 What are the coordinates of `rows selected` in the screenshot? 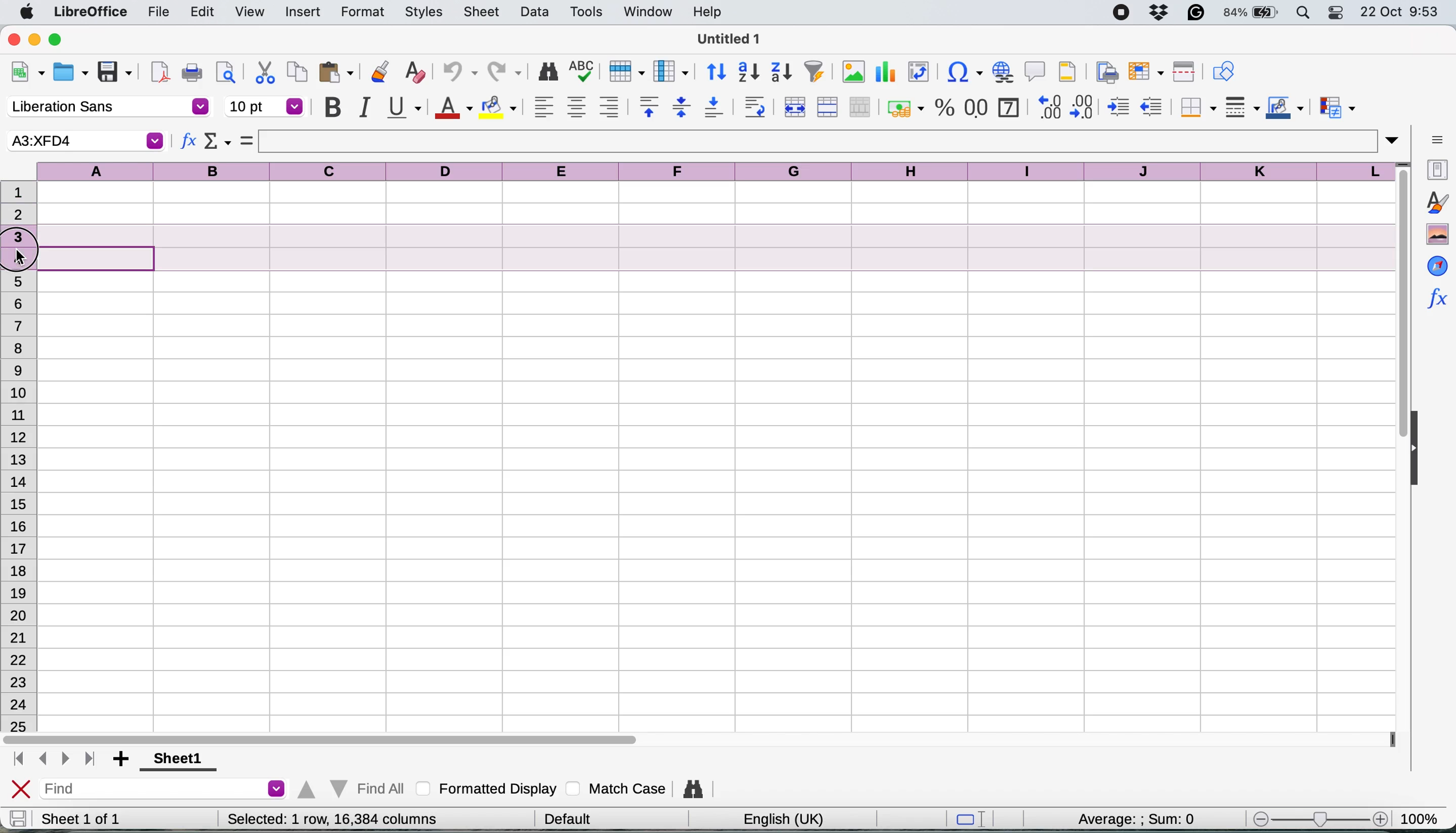 It's located at (690, 249).